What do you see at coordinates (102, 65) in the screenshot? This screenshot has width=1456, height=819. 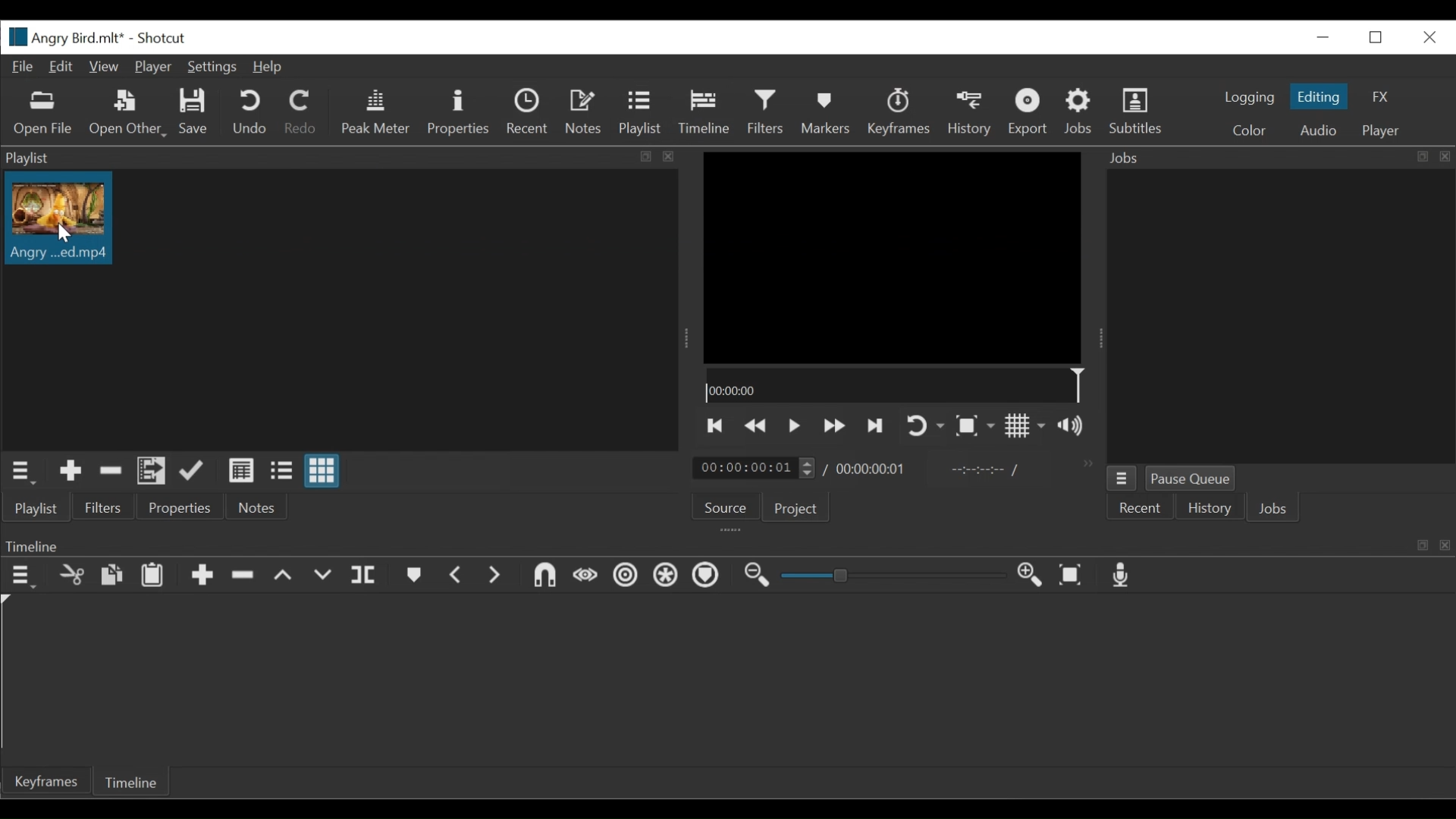 I see `View` at bounding box center [102, 65].